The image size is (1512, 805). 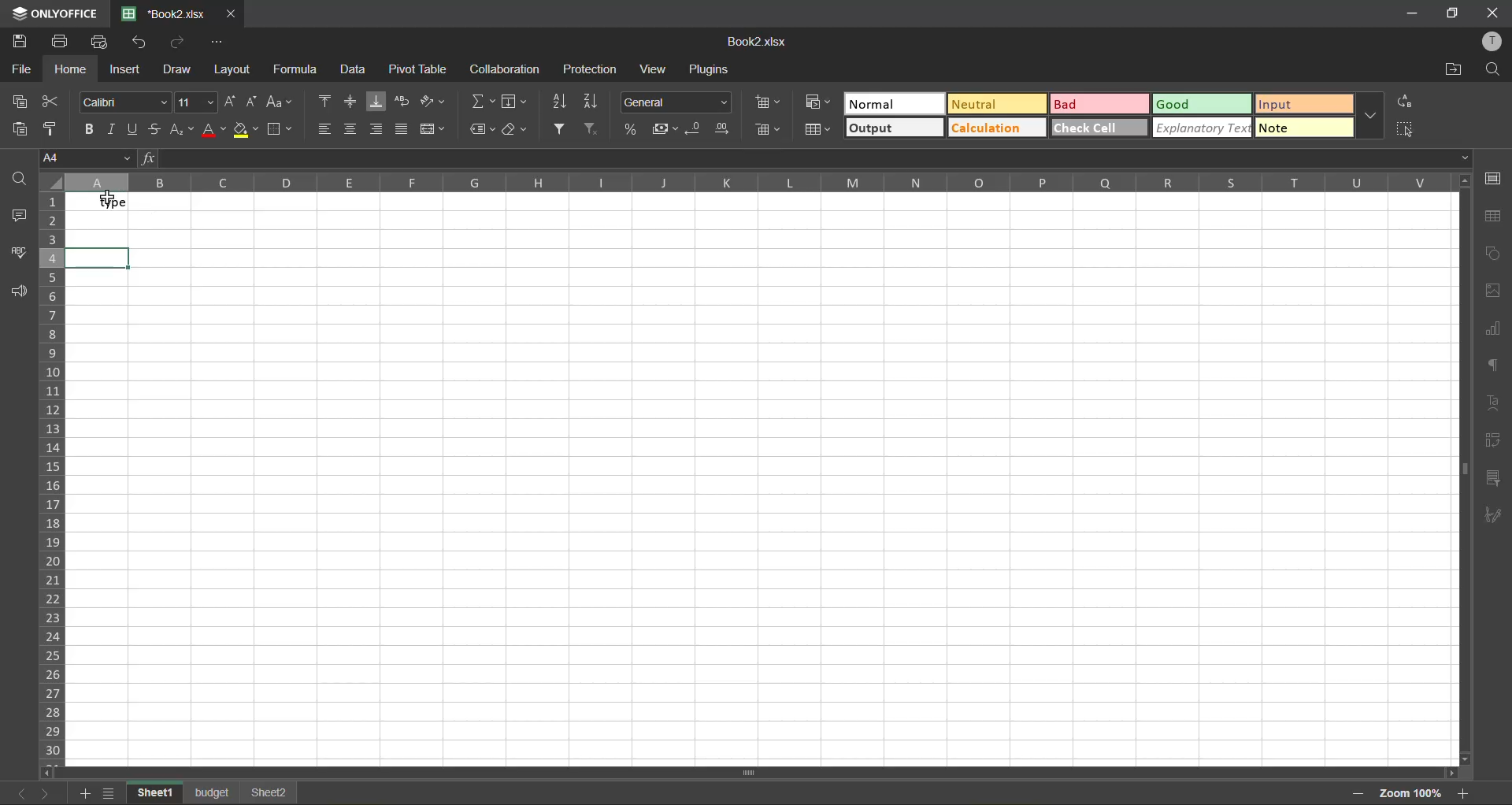 I want to click on Book2.xlsx, so click(x=758, y=43).